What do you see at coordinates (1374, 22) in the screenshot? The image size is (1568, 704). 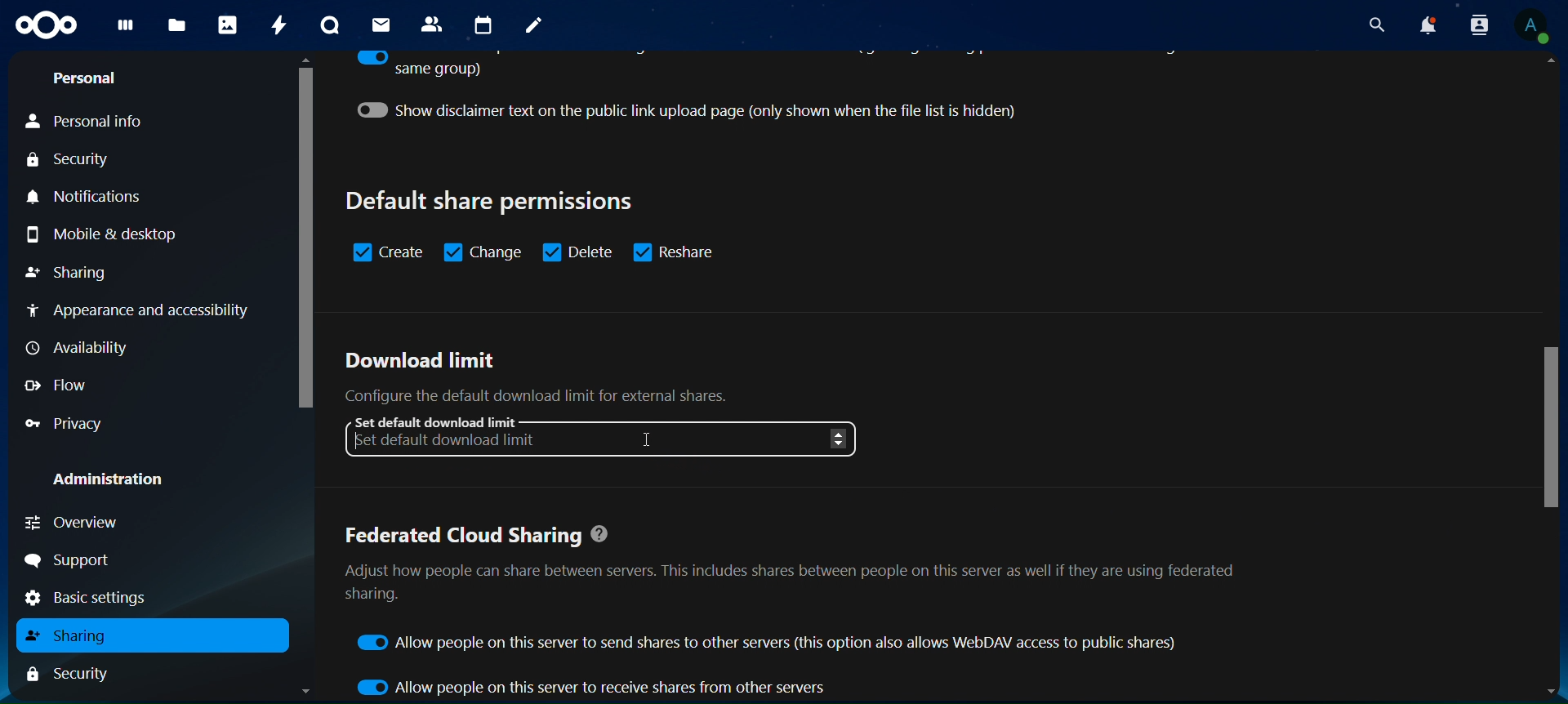 I see `search` at bounding box center [1374, 22].